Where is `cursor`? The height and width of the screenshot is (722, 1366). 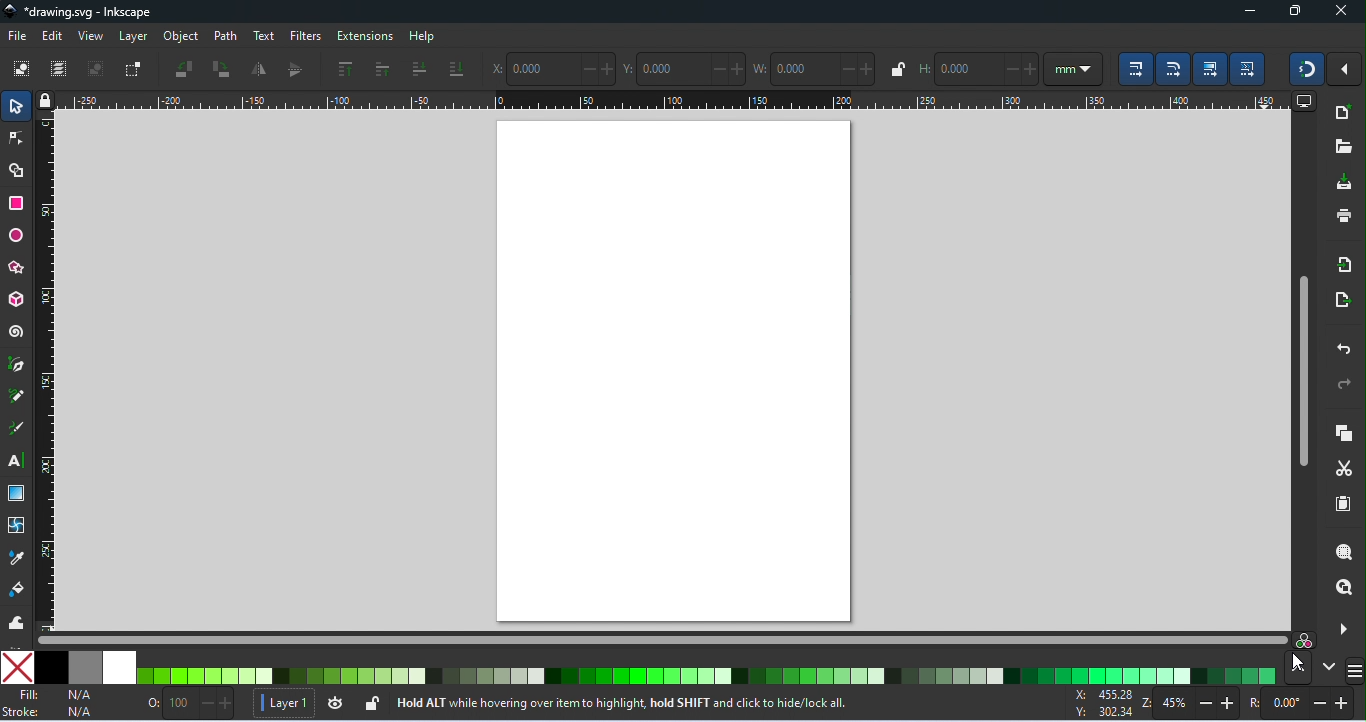 cursor is located at coordinates (1299, 663).